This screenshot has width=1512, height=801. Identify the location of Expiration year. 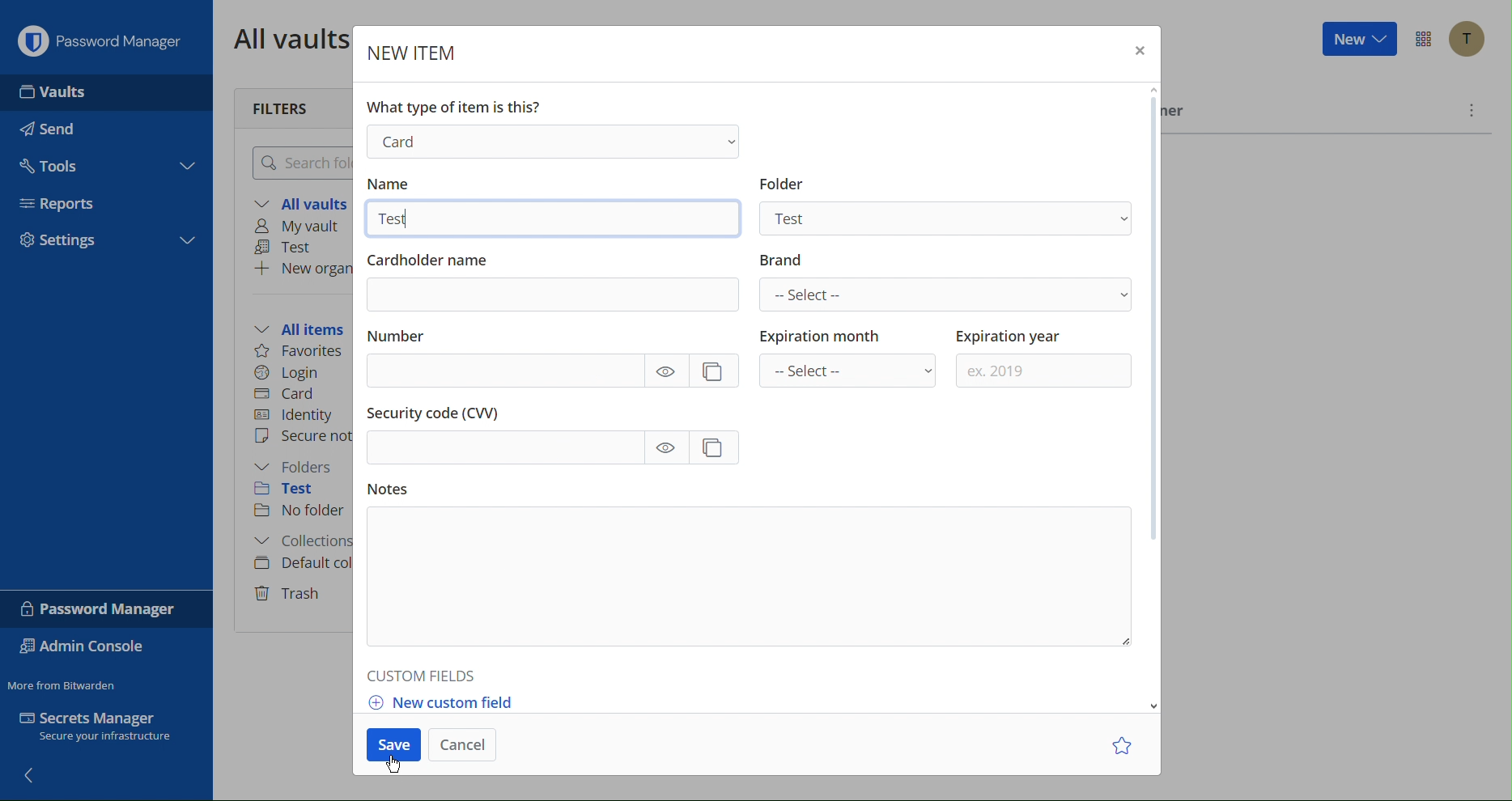
(1046, 358).